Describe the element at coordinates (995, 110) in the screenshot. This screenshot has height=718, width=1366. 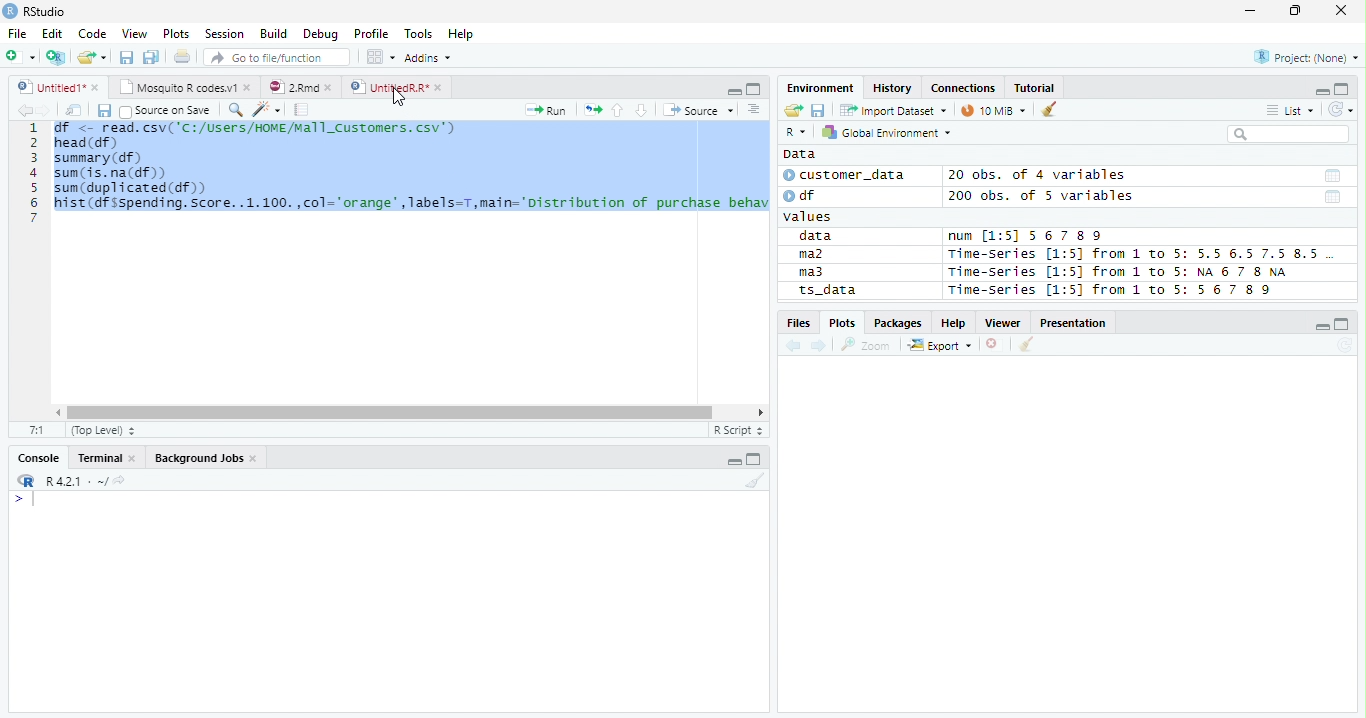
I see `10 MiB` at that location.